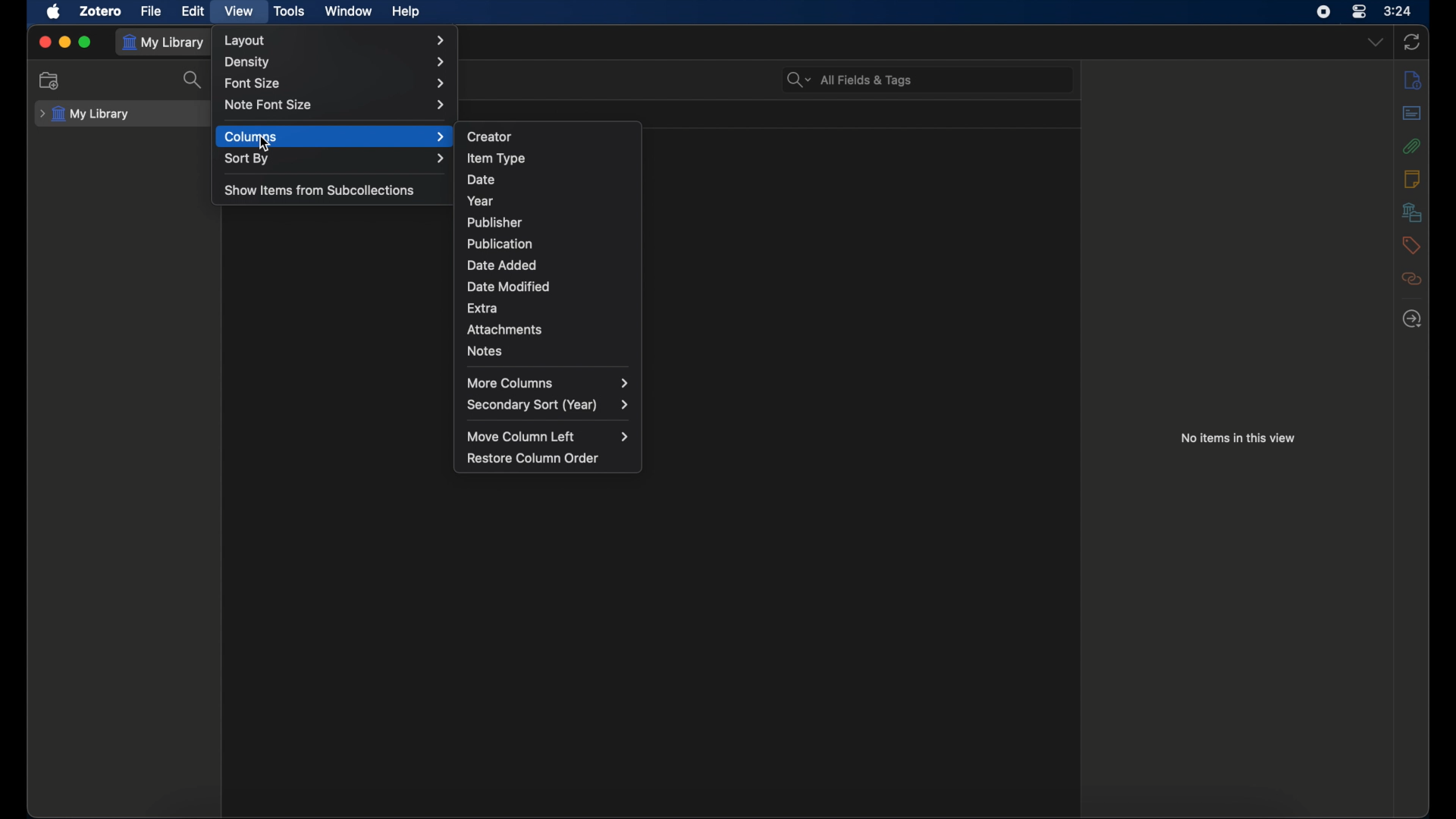 Image resolution: width=1456 pixels, height=819 pixels. What do you see at coordinates (100, 11) in the screenshot?
I see `zotero` at bounding box center [100, 11].